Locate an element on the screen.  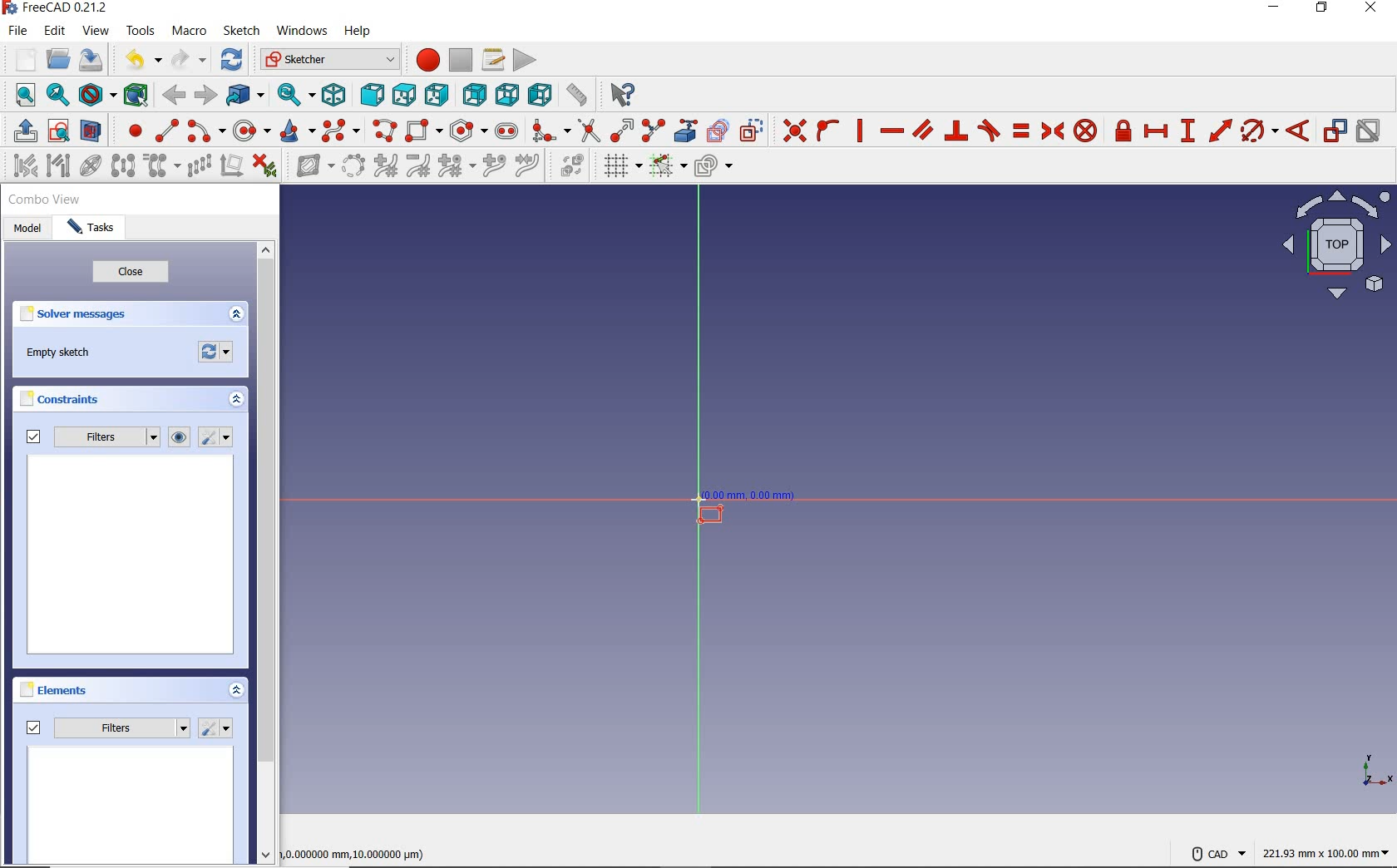
bounding box is located at coordinates (133, 94).